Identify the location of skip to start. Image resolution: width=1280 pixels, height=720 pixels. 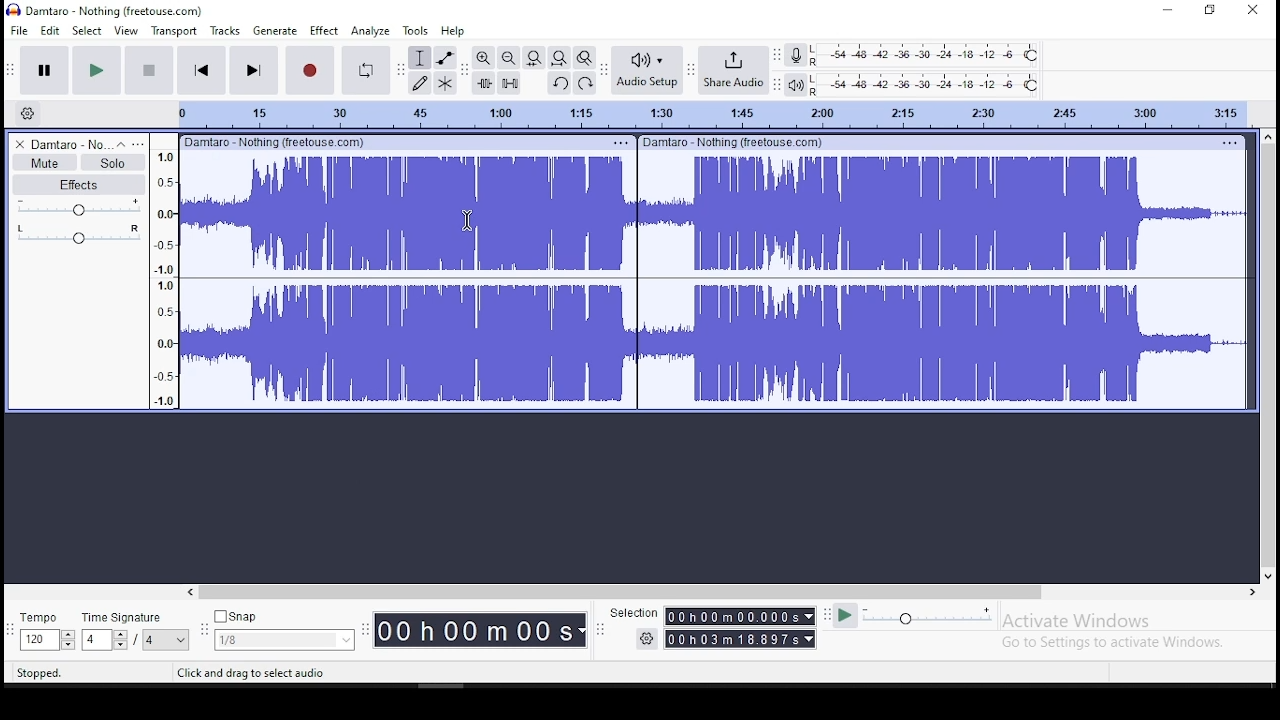
(201, 69).